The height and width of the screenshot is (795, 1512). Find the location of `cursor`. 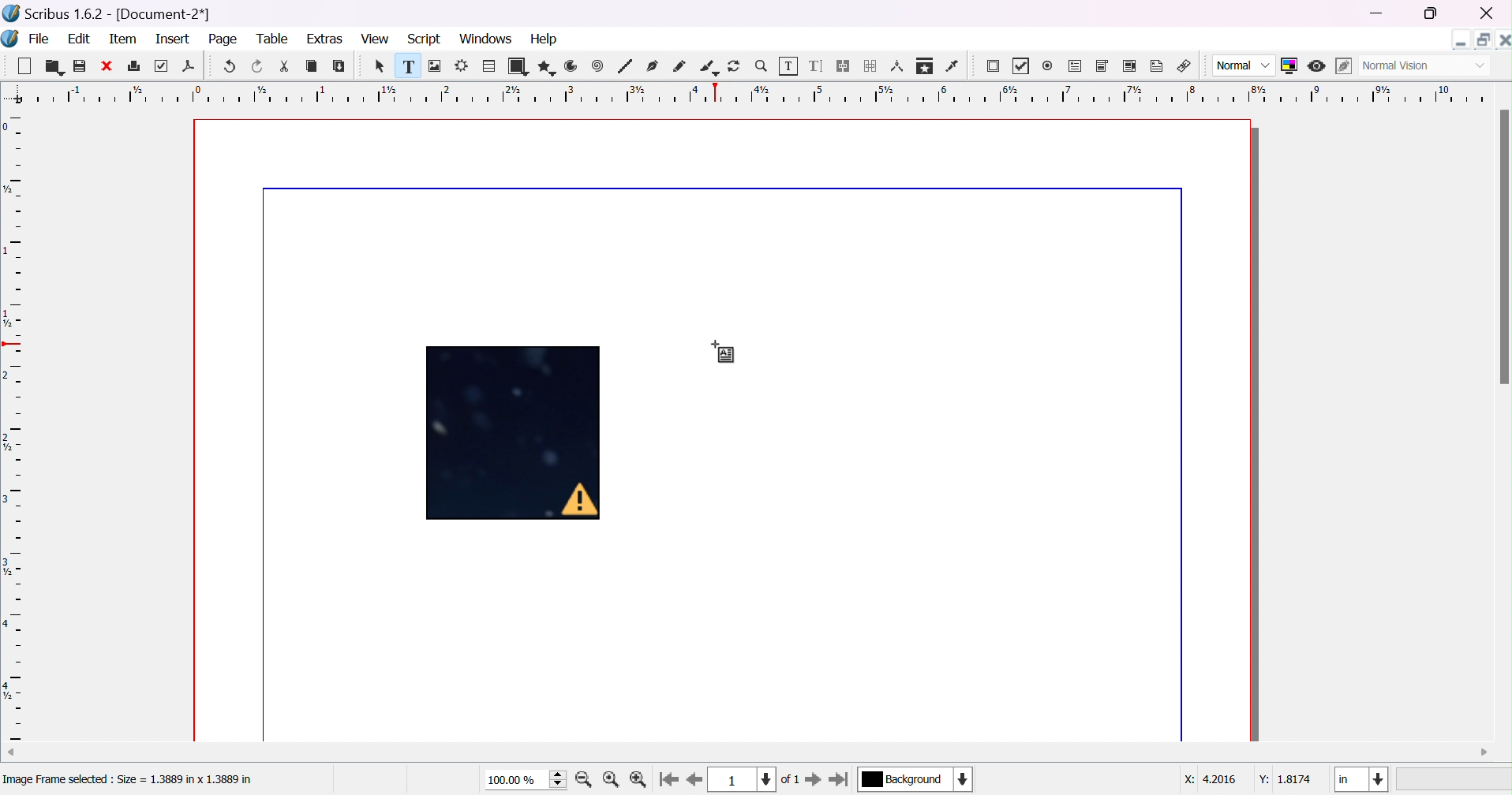

cursor is located at coordinates (724, 352).